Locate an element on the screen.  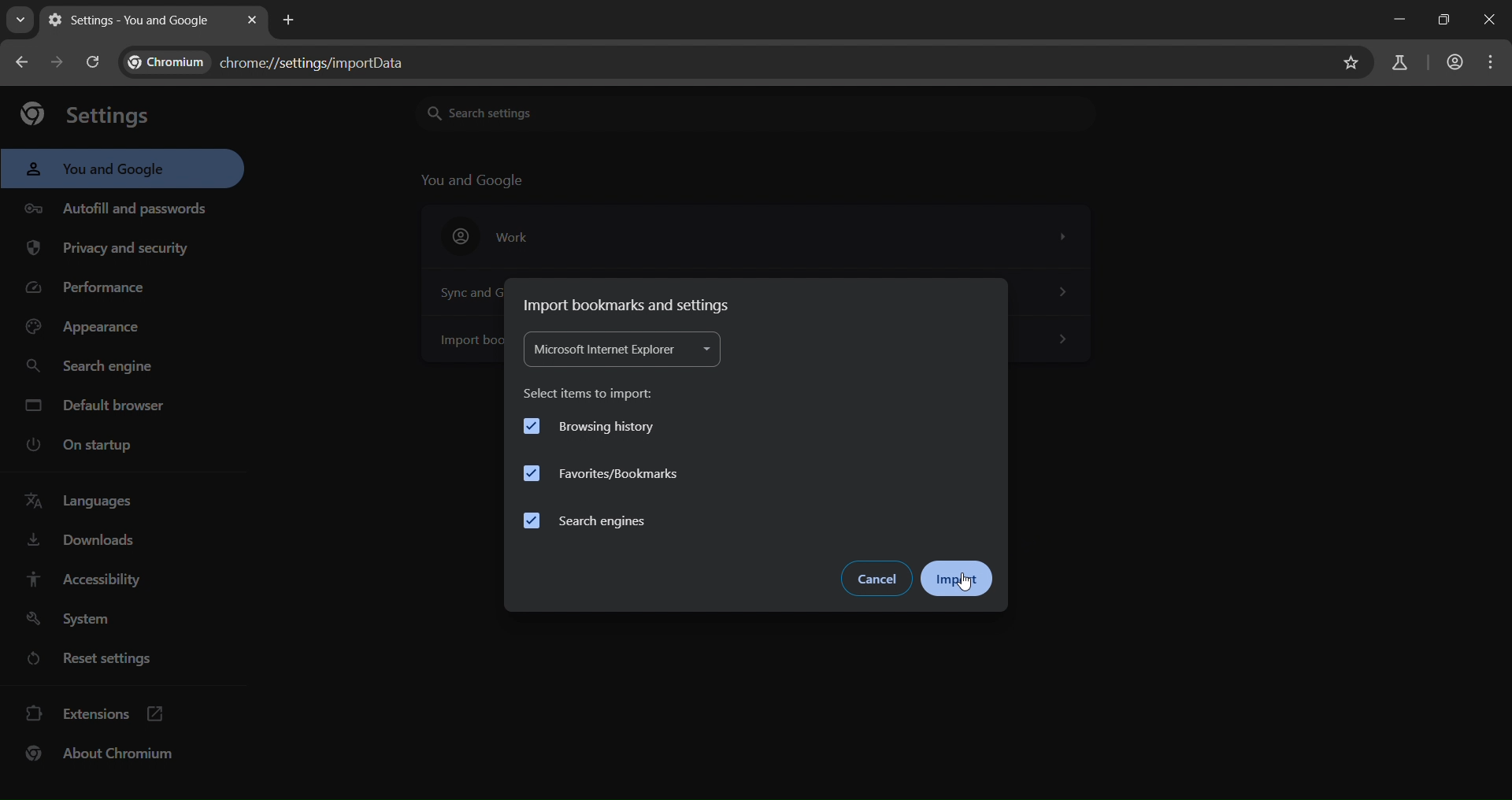
current tab is located at coordinates (133, 20).